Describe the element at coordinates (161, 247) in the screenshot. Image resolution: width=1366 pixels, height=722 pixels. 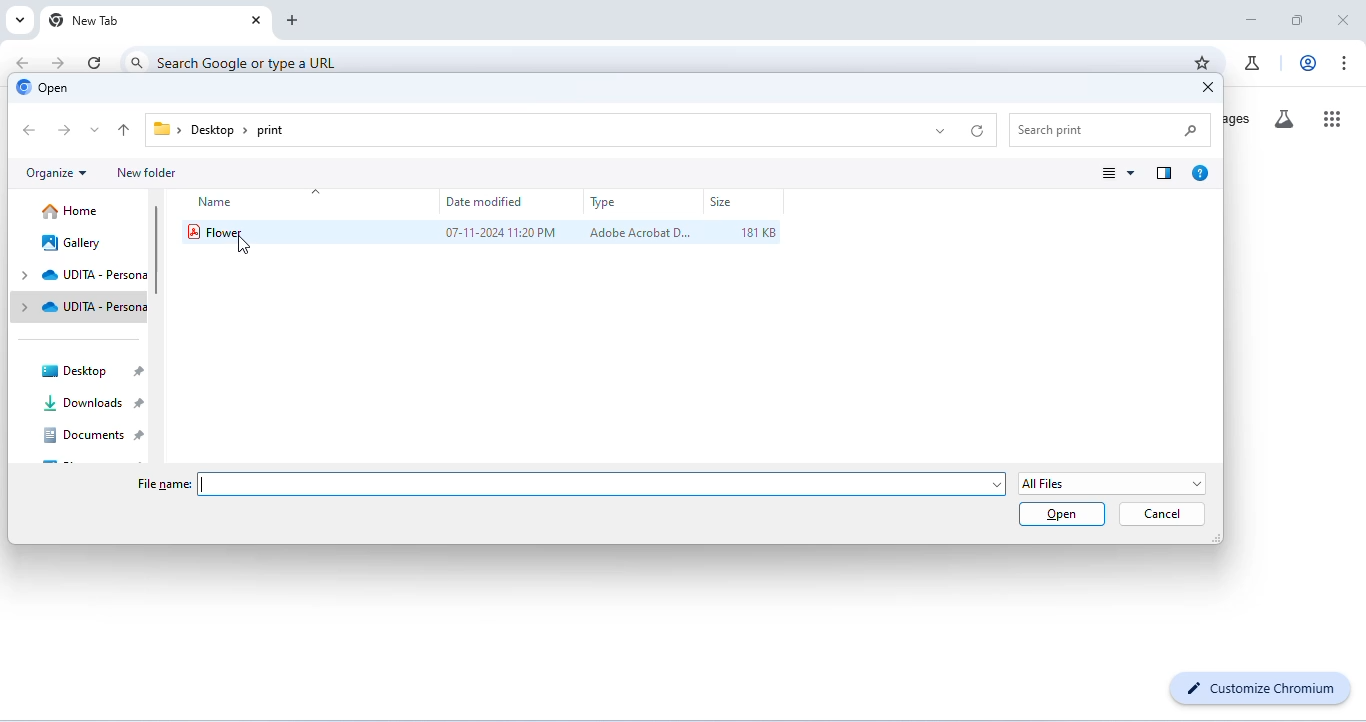
I see `vertical scroll bar` at that location.